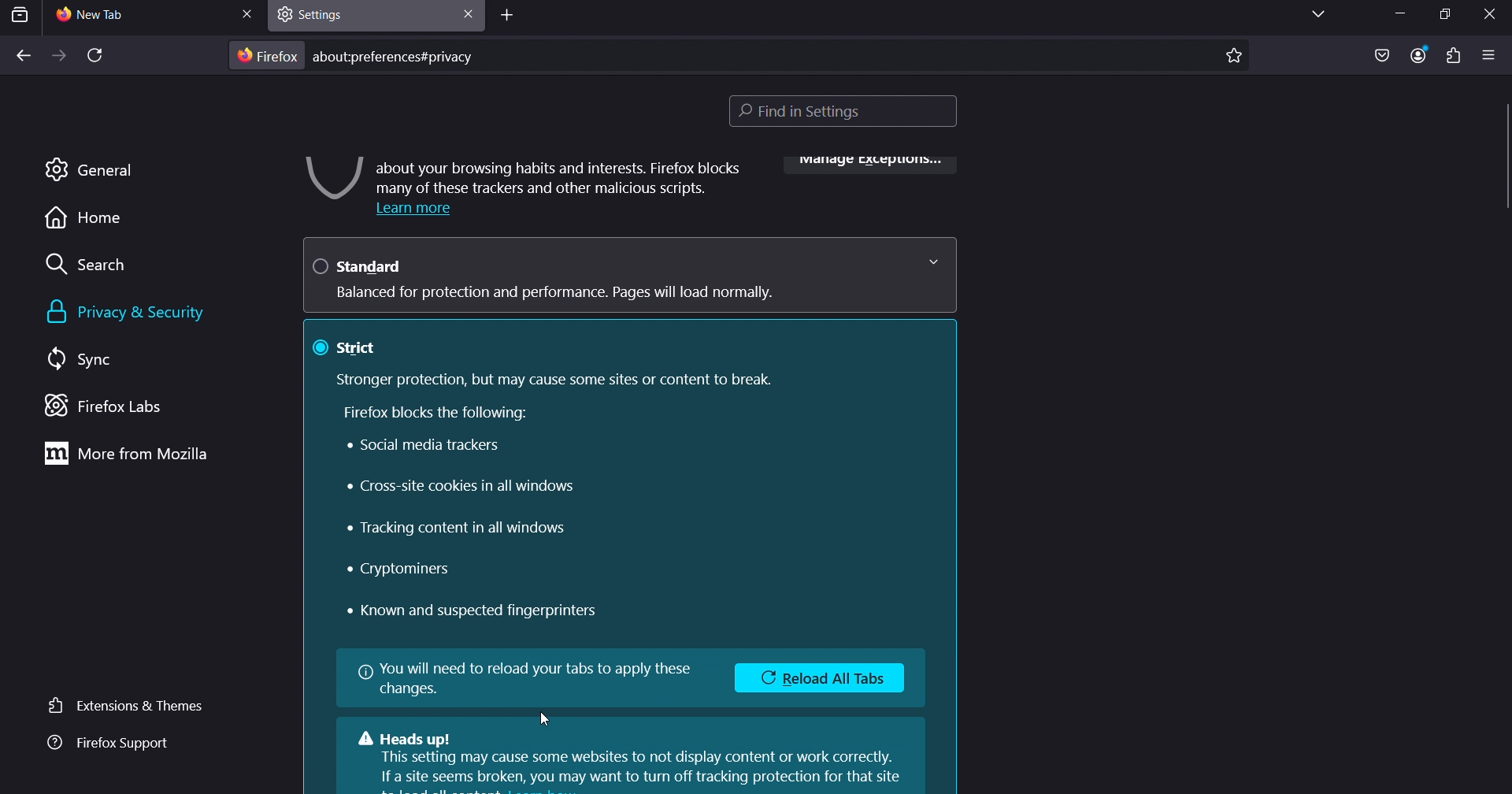 The image size is (1512, 794). Describe the element at coordinates (1381, 56) in the screenshot. I see `save as pocket` at that location.